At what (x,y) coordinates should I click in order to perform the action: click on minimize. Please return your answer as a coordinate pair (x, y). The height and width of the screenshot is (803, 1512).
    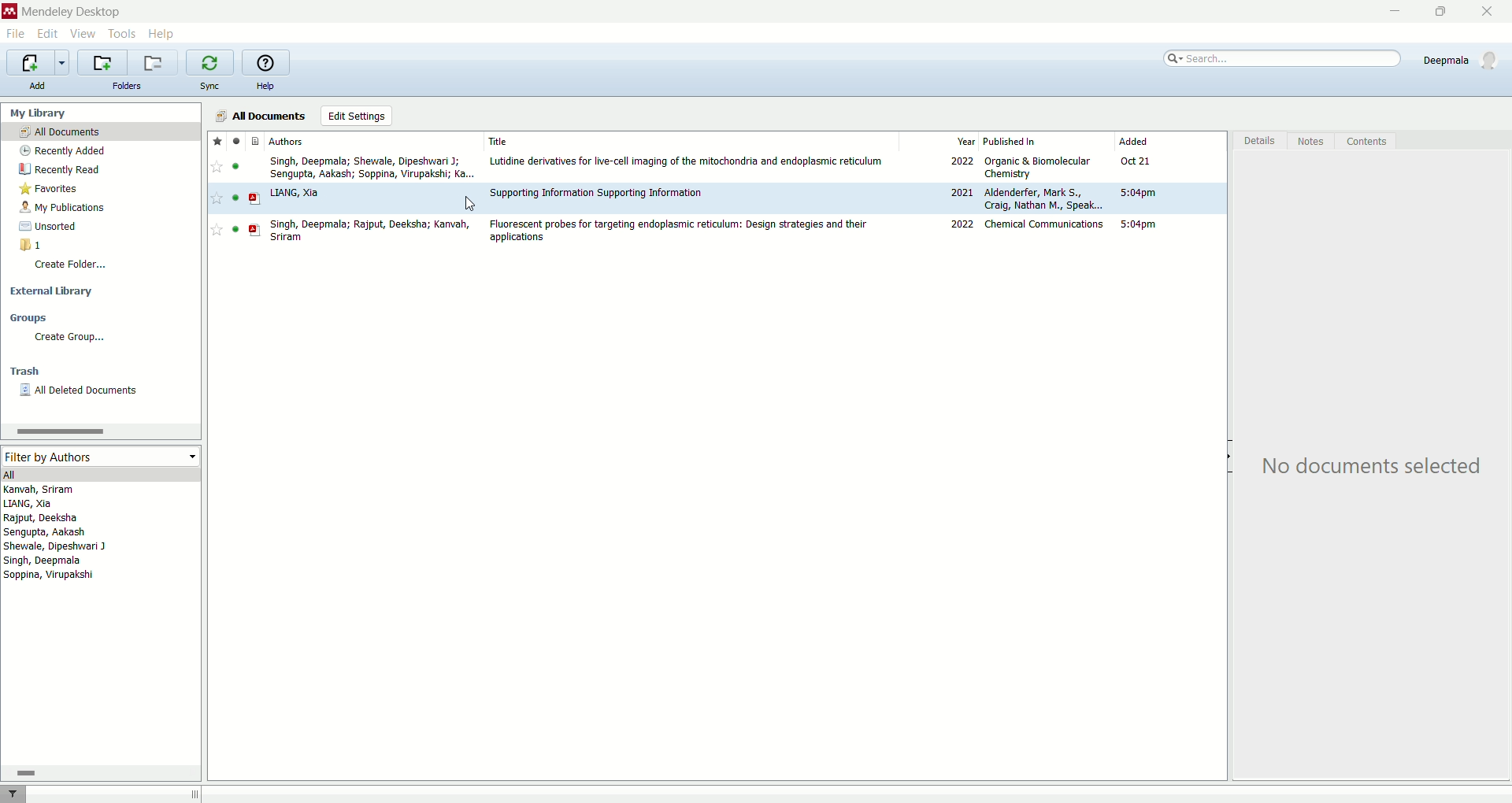
    Looking at the image, I should click on (1395, 11).